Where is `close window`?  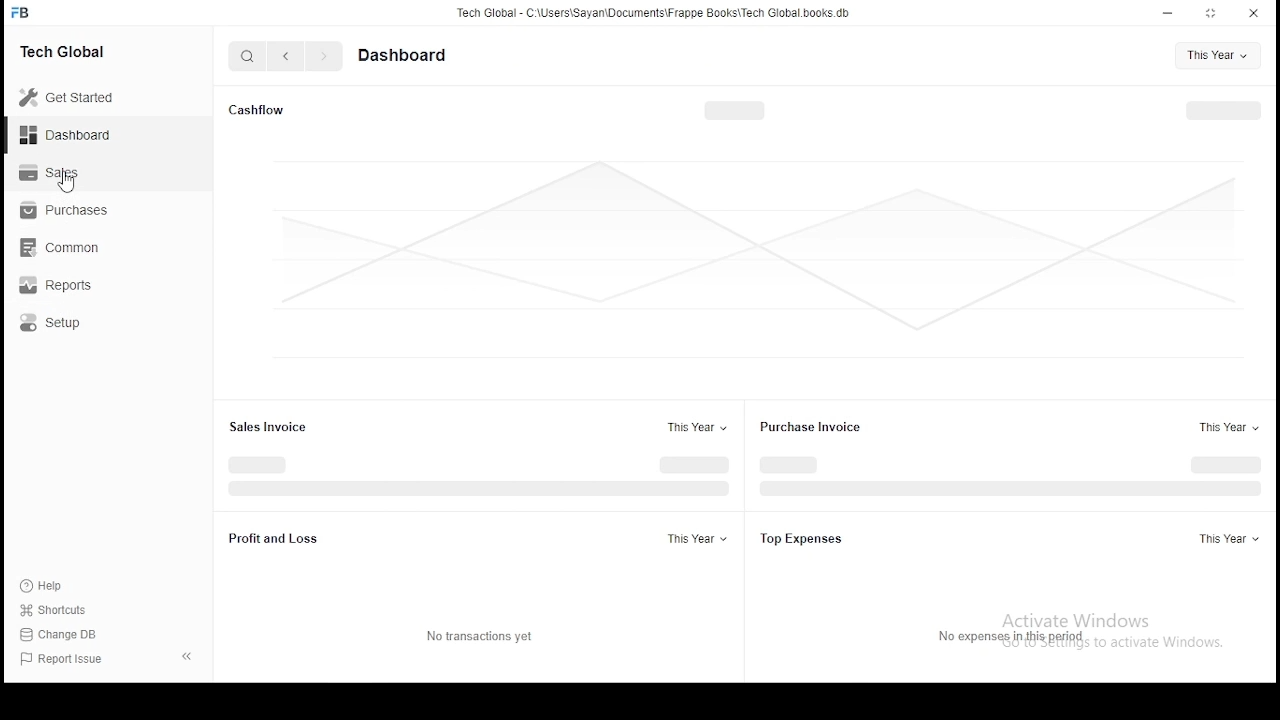
close window is located at coordinates (1251, 14).